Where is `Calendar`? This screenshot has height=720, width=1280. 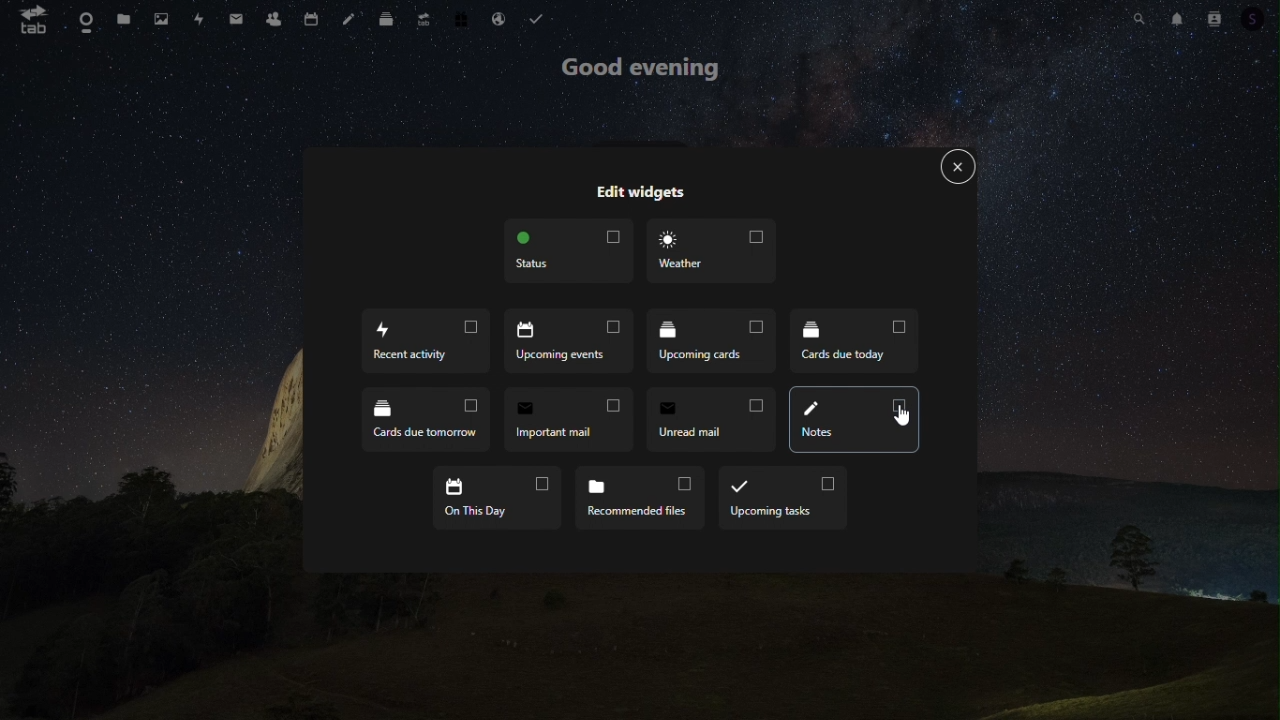
Calendar is located at coordinates (310, 19).